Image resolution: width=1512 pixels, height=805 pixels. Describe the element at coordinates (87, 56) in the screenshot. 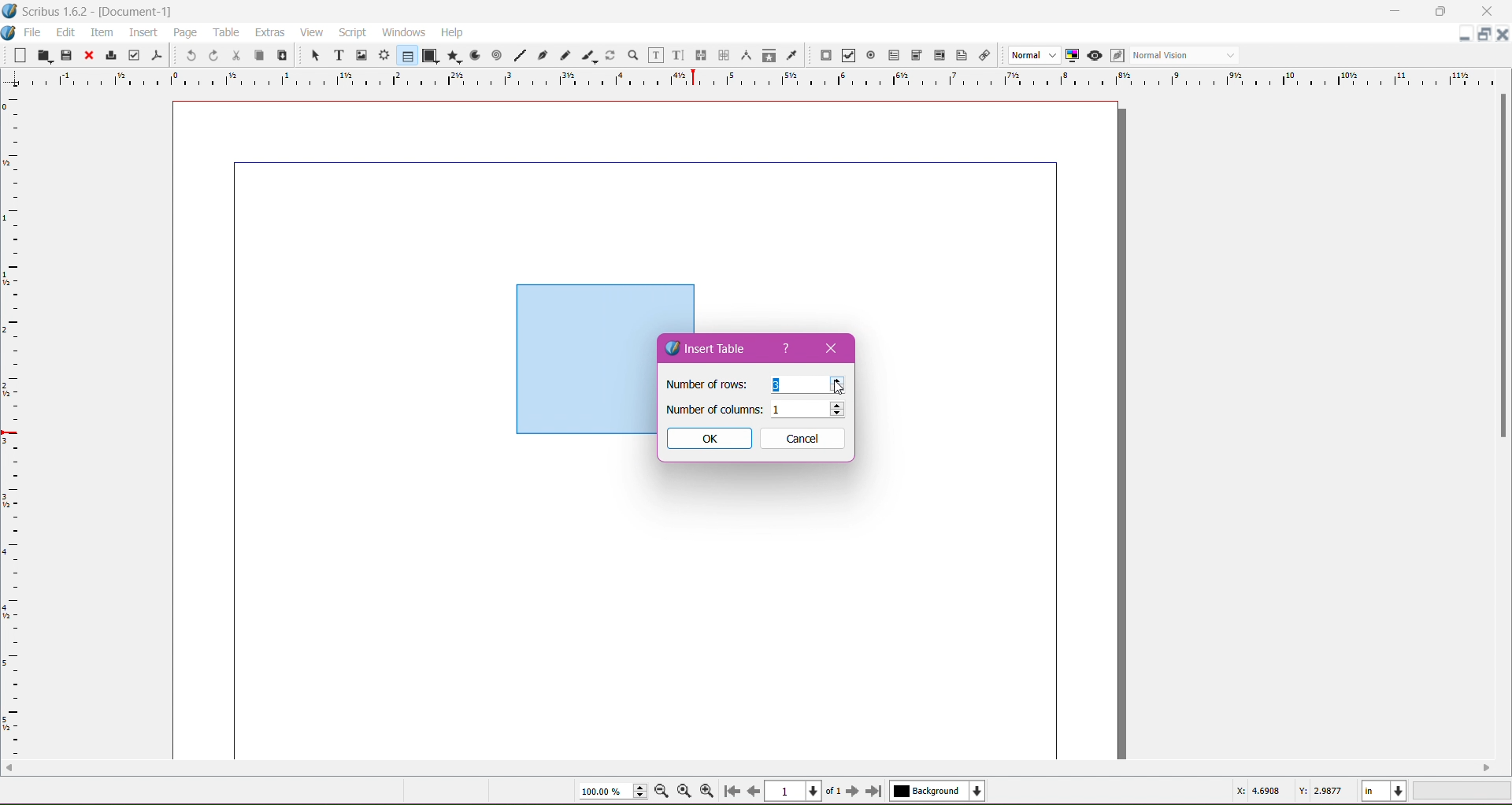

I see `Close` at that location.